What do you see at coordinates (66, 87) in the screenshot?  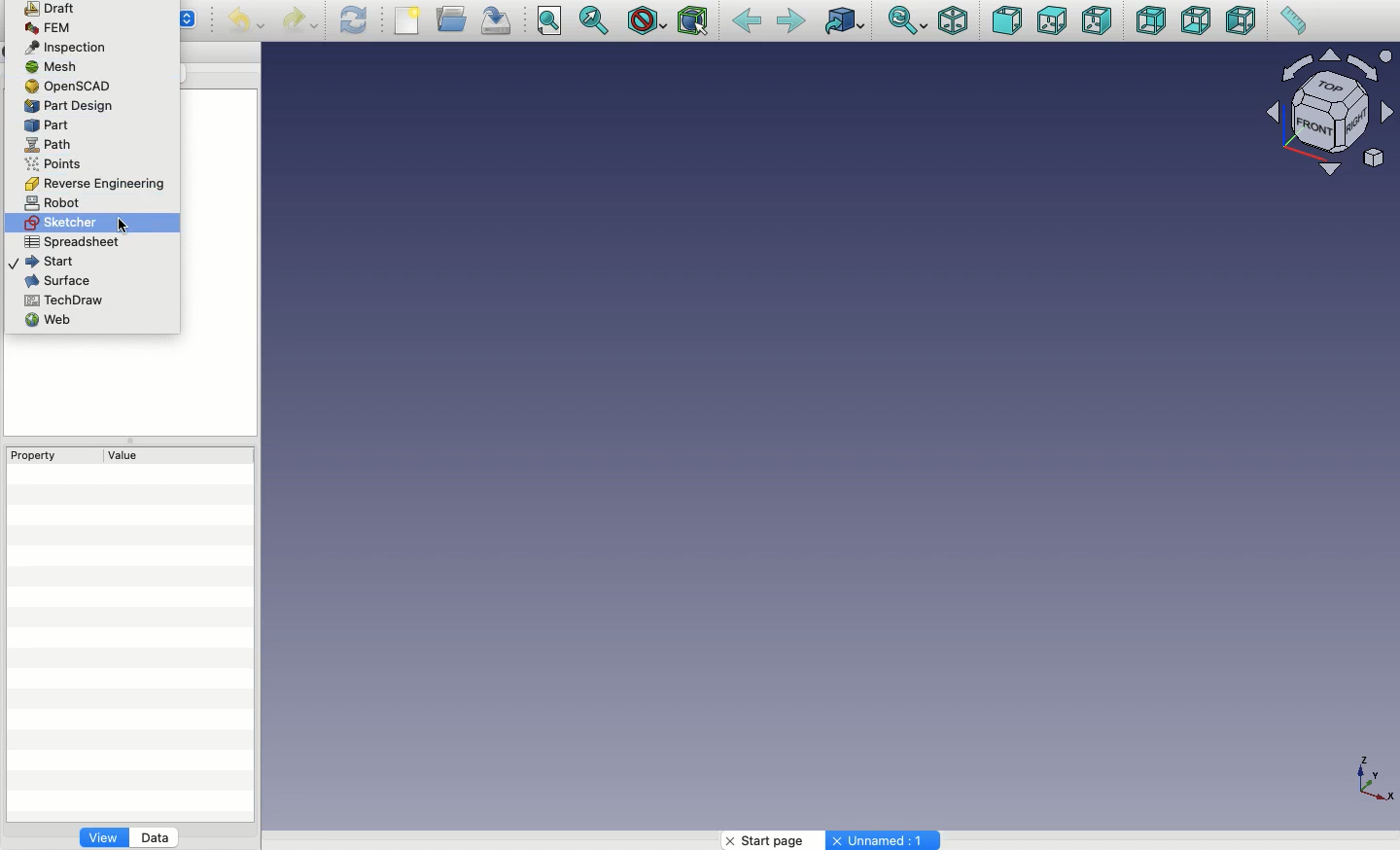 I see `OpenSCAD` at bounding box center [66, 87].